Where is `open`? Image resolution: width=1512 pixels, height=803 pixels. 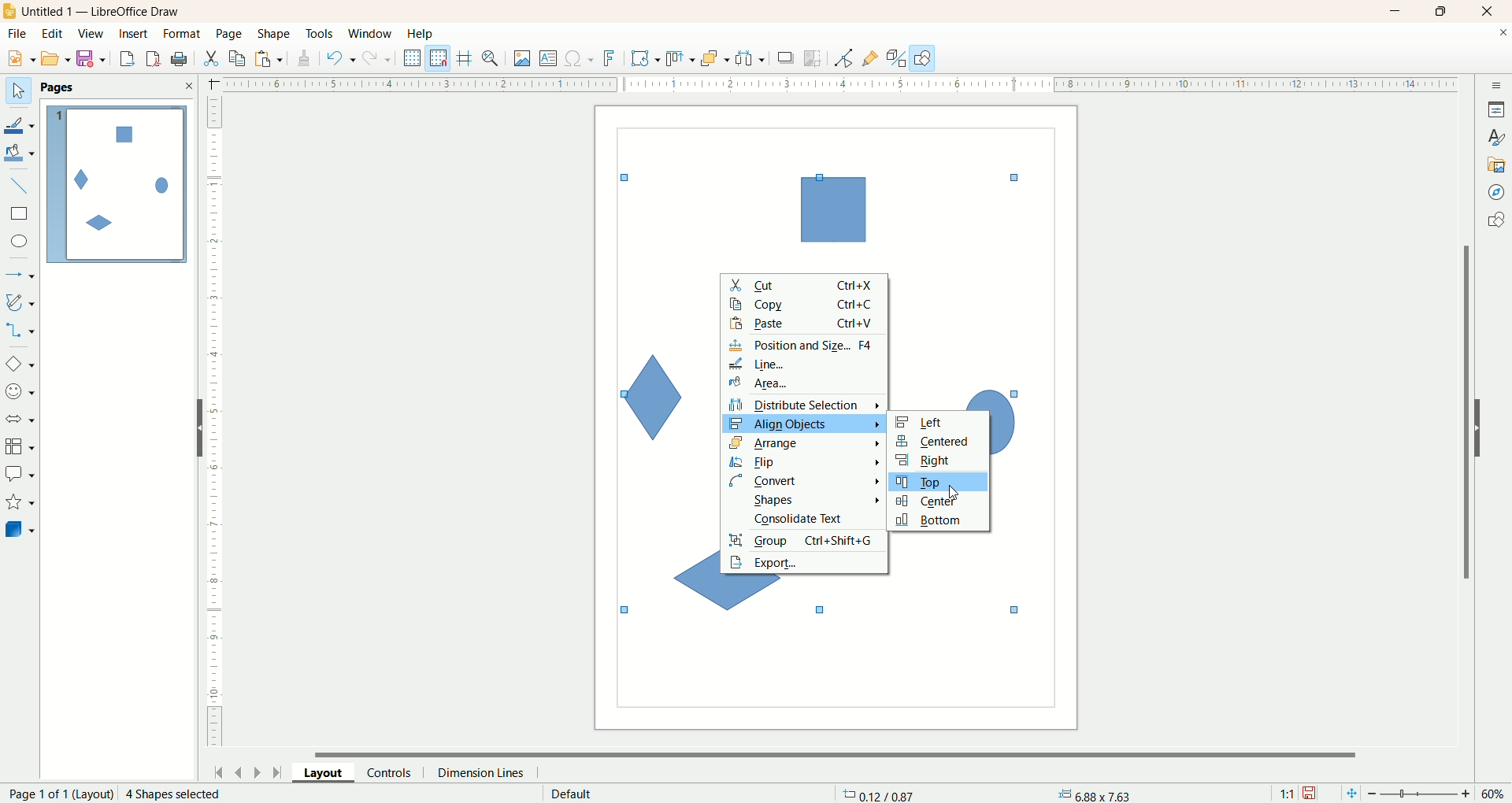 open is located at coordinates (56, 58).